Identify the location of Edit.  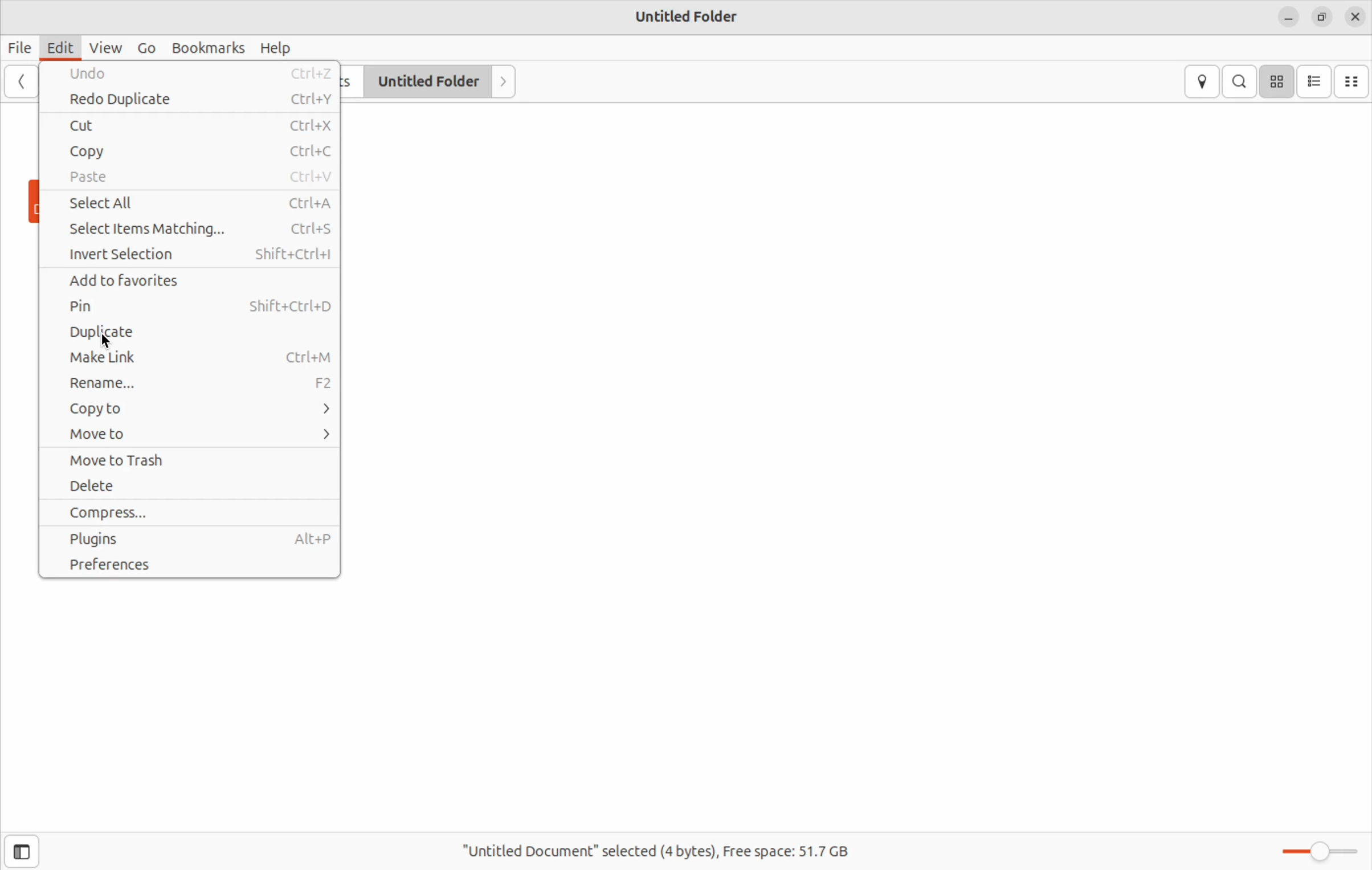
(60, 47).